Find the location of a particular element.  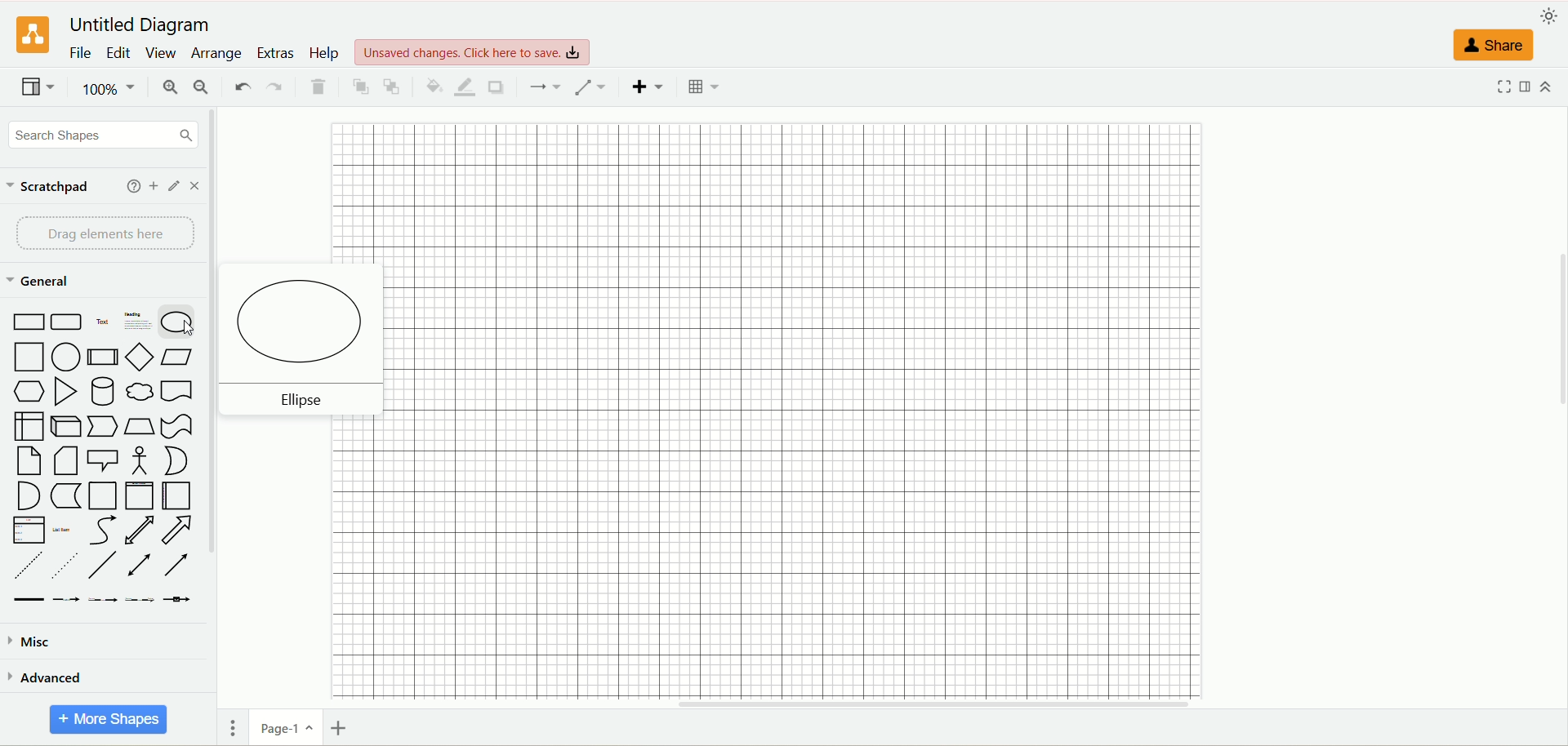

vertical scroll bar is located at coordinates (216, 408).